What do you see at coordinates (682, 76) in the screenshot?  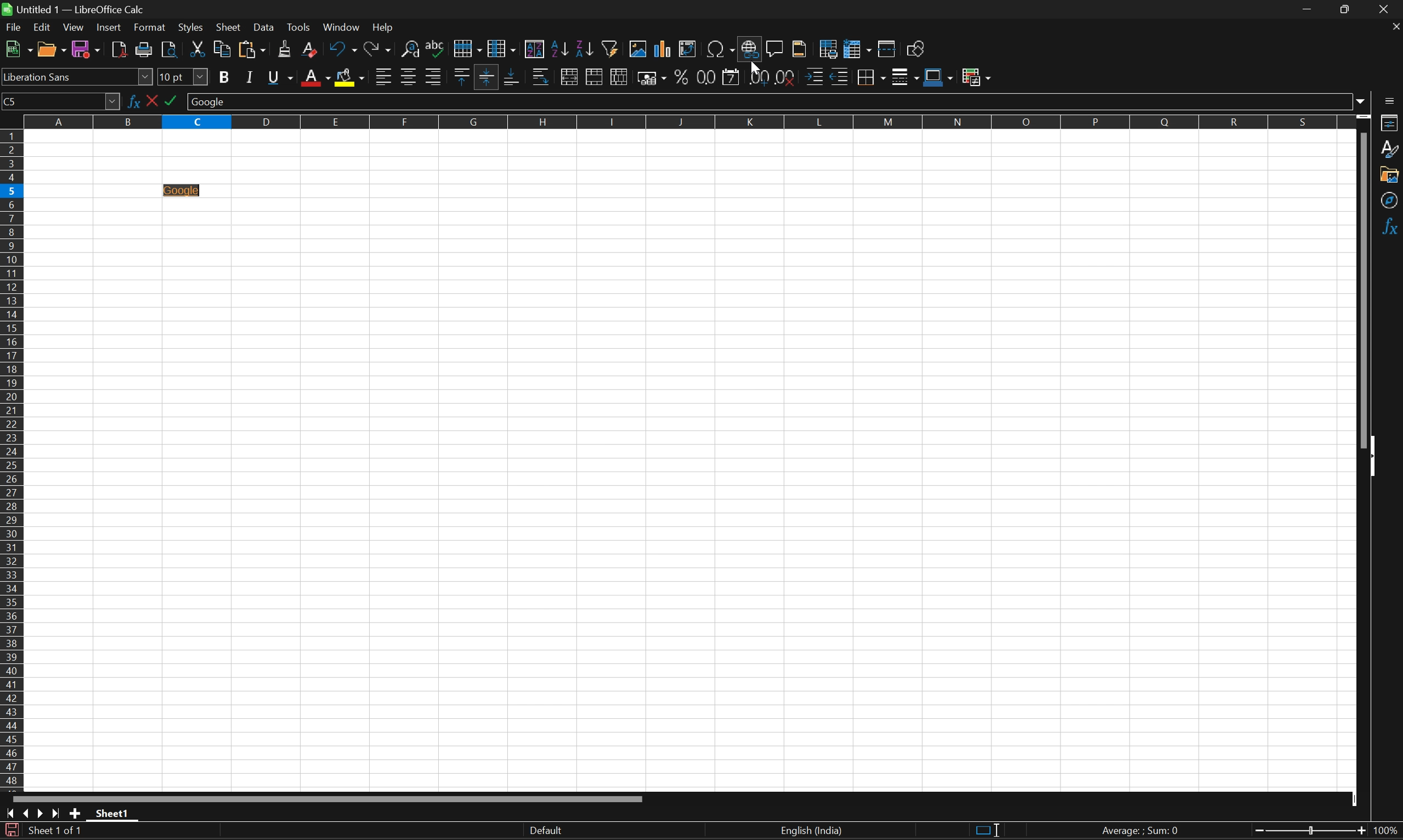 I see `Format as percent` at bounding box center [682, 76].